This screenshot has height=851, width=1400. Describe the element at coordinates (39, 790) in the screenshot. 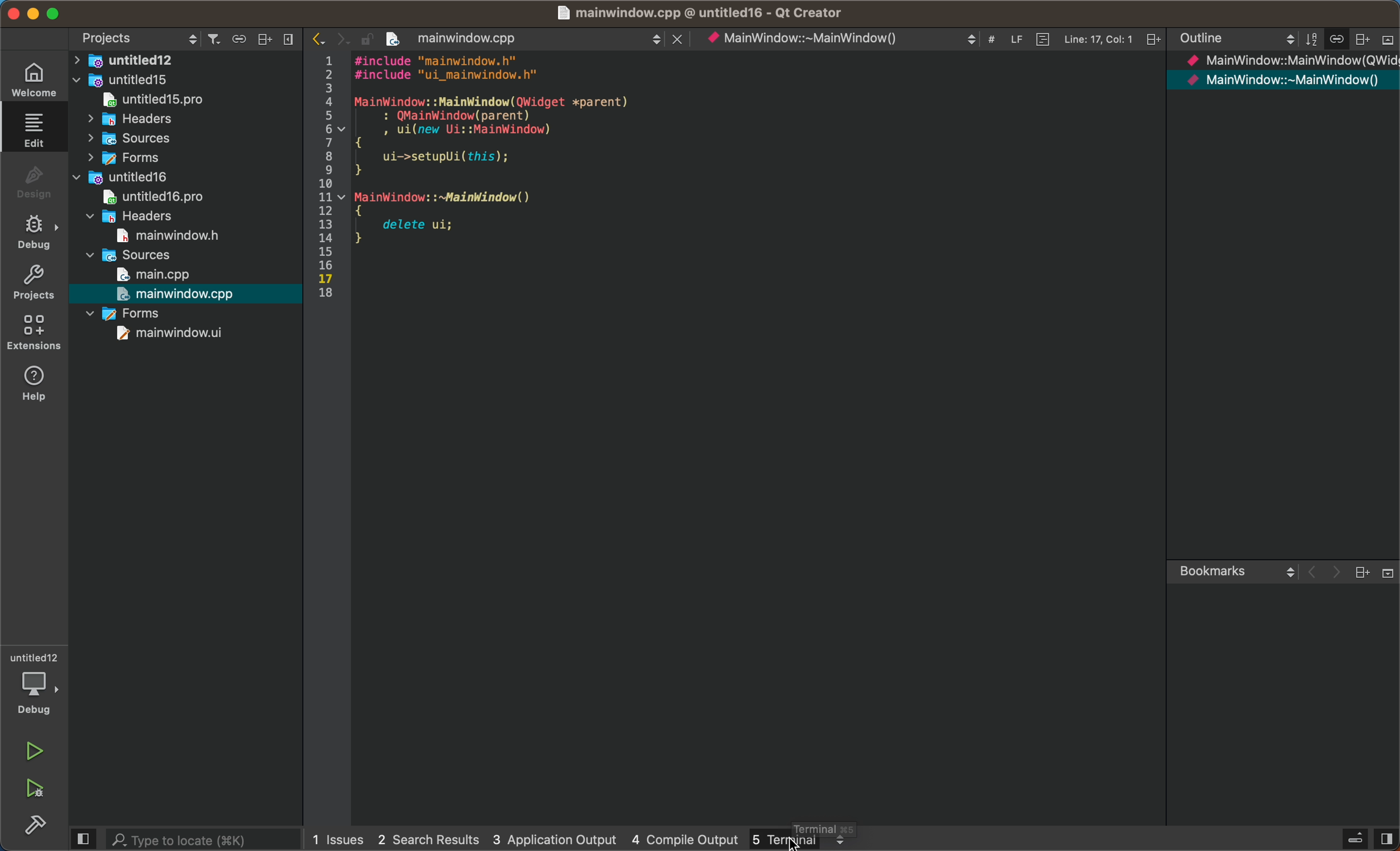

I see `run and debug` at that location.